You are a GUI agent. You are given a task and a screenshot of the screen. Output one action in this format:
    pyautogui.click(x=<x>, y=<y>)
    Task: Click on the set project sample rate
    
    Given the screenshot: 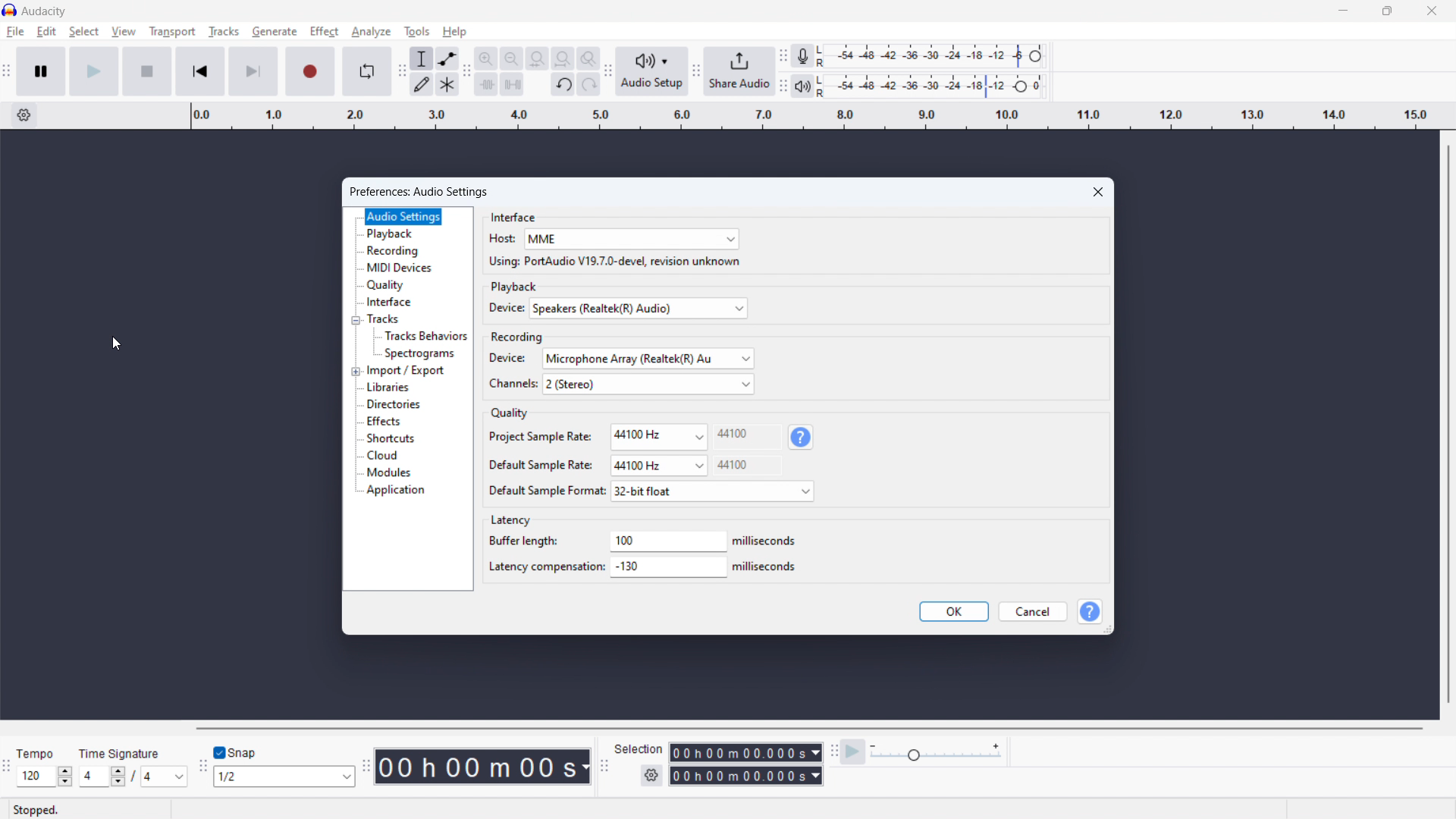 What is the action you would take?
    pyautogui.click(x=660, y=436)
    